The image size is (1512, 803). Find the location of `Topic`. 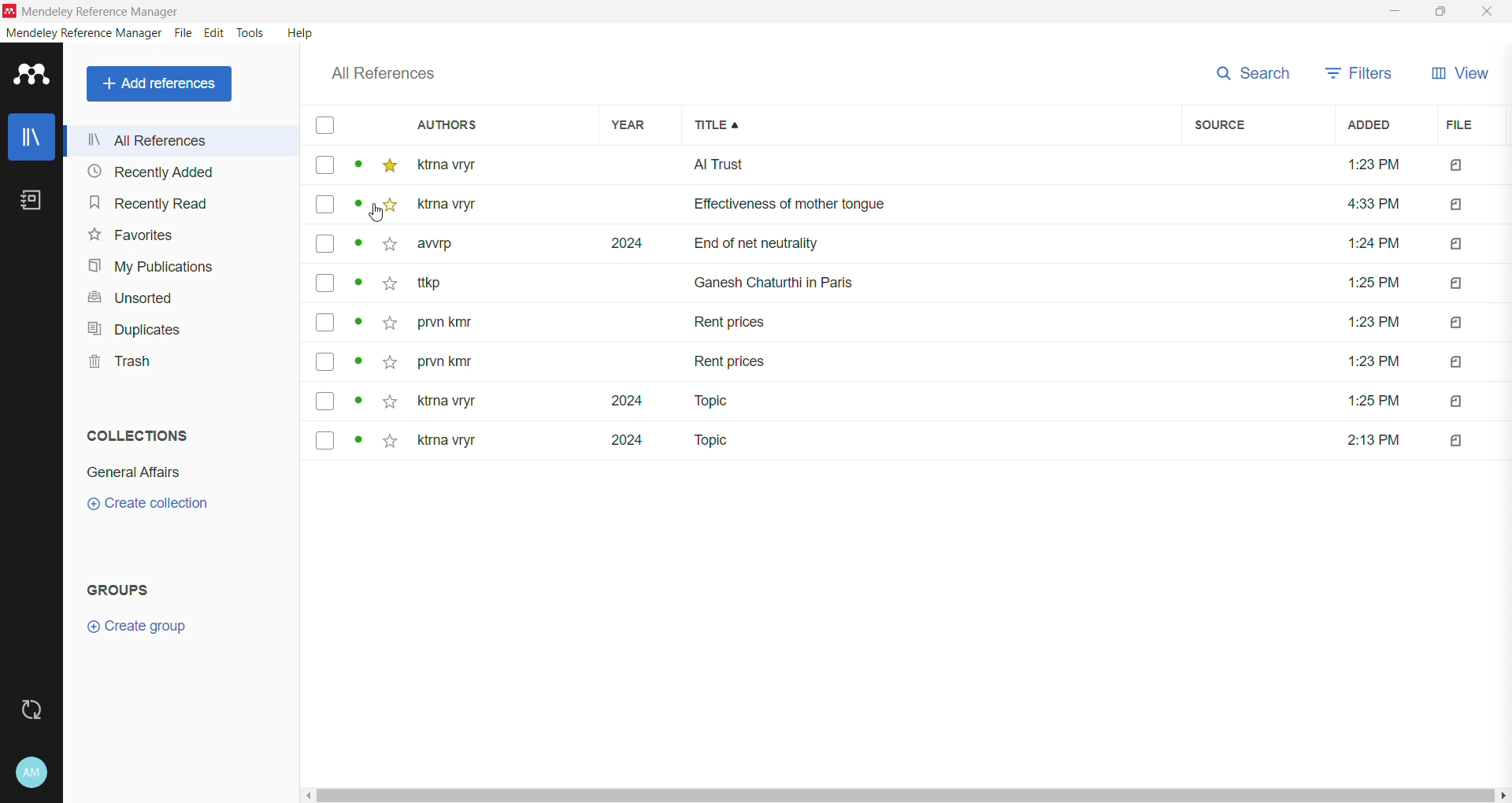

Topic is located at coordinates (709, 442).